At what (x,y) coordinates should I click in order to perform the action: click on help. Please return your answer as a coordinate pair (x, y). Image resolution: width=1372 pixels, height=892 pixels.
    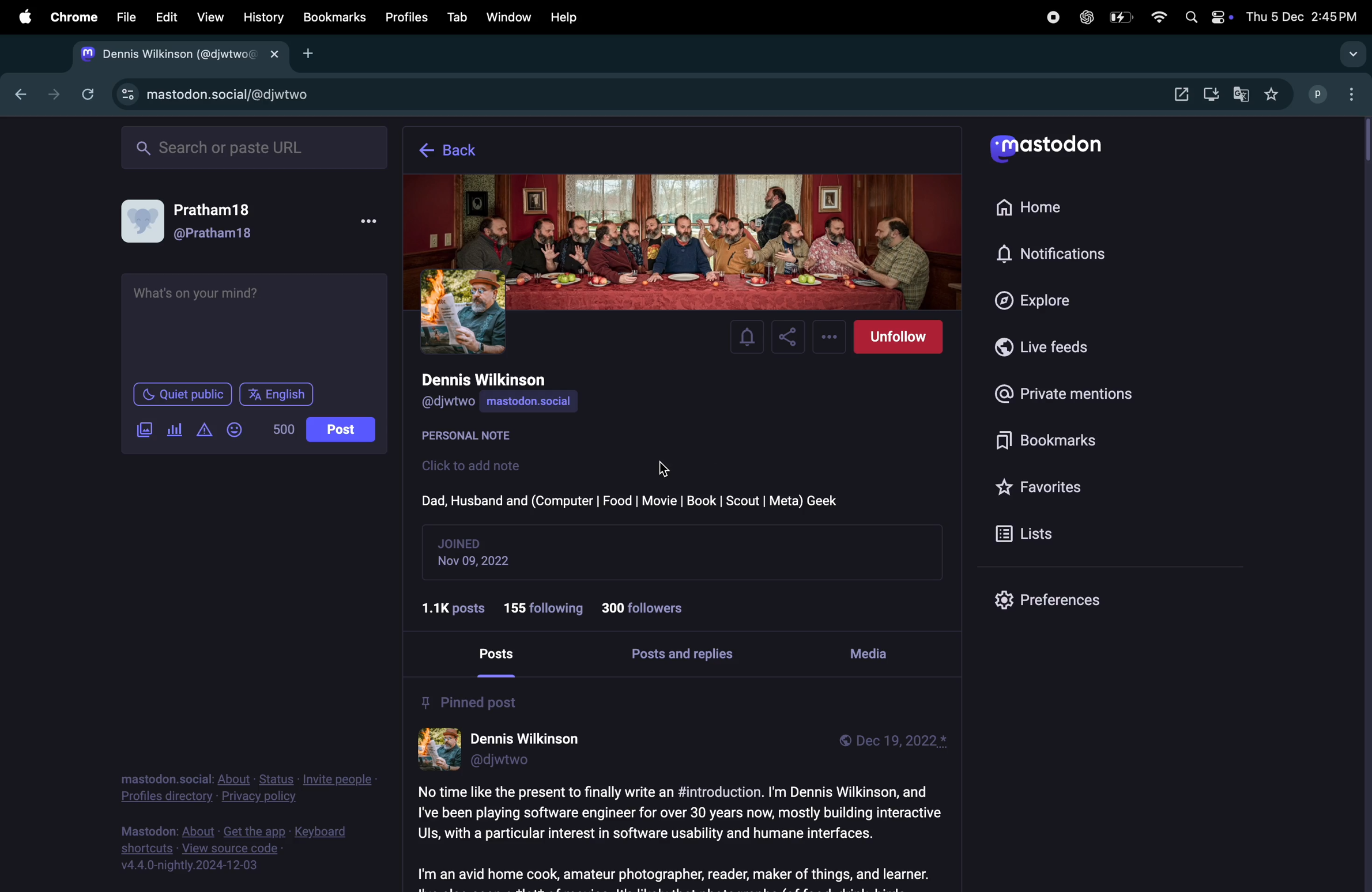
    Looking at the image, I should click on (566, 17).